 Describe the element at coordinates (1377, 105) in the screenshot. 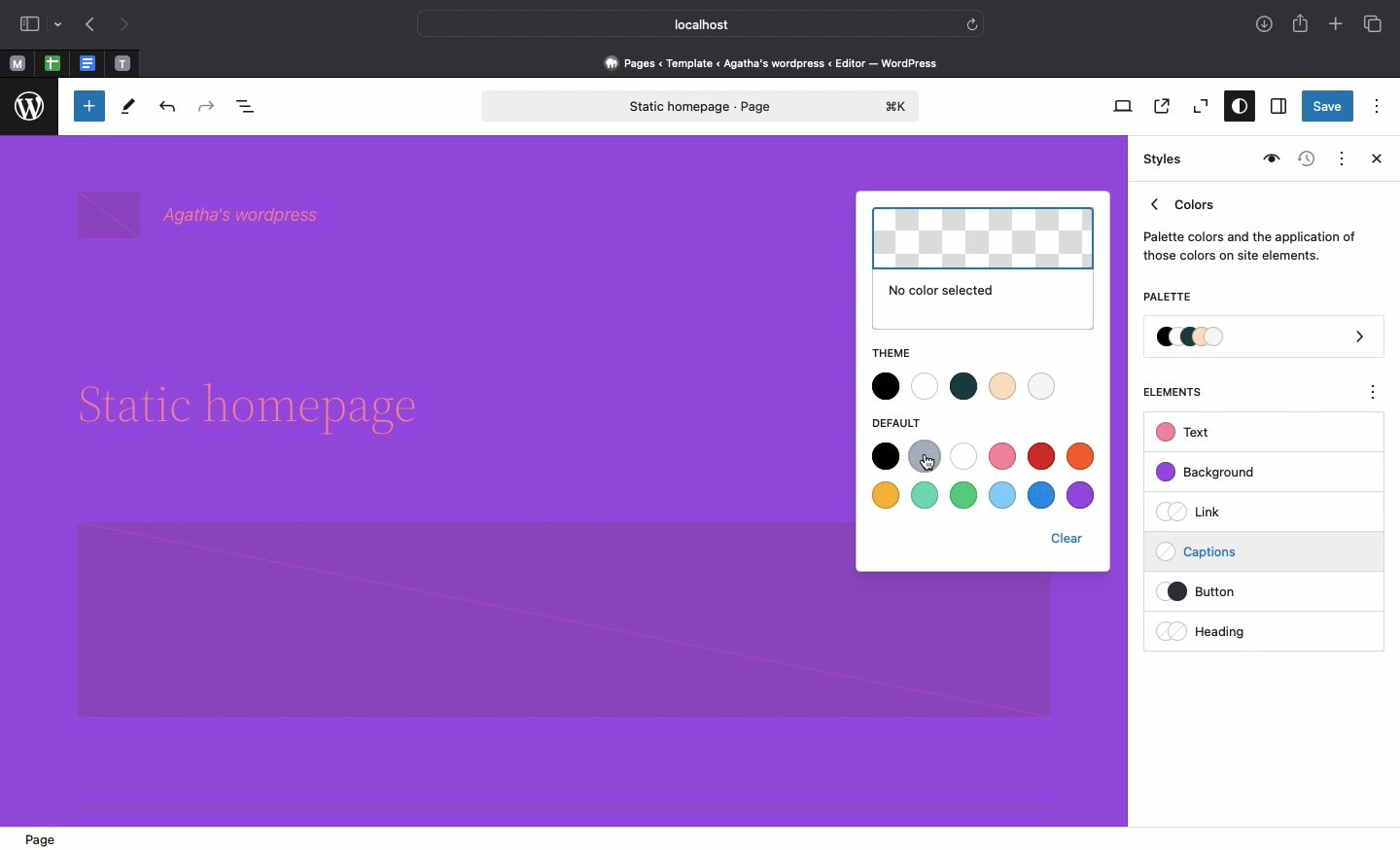

I see `Options` at that location.